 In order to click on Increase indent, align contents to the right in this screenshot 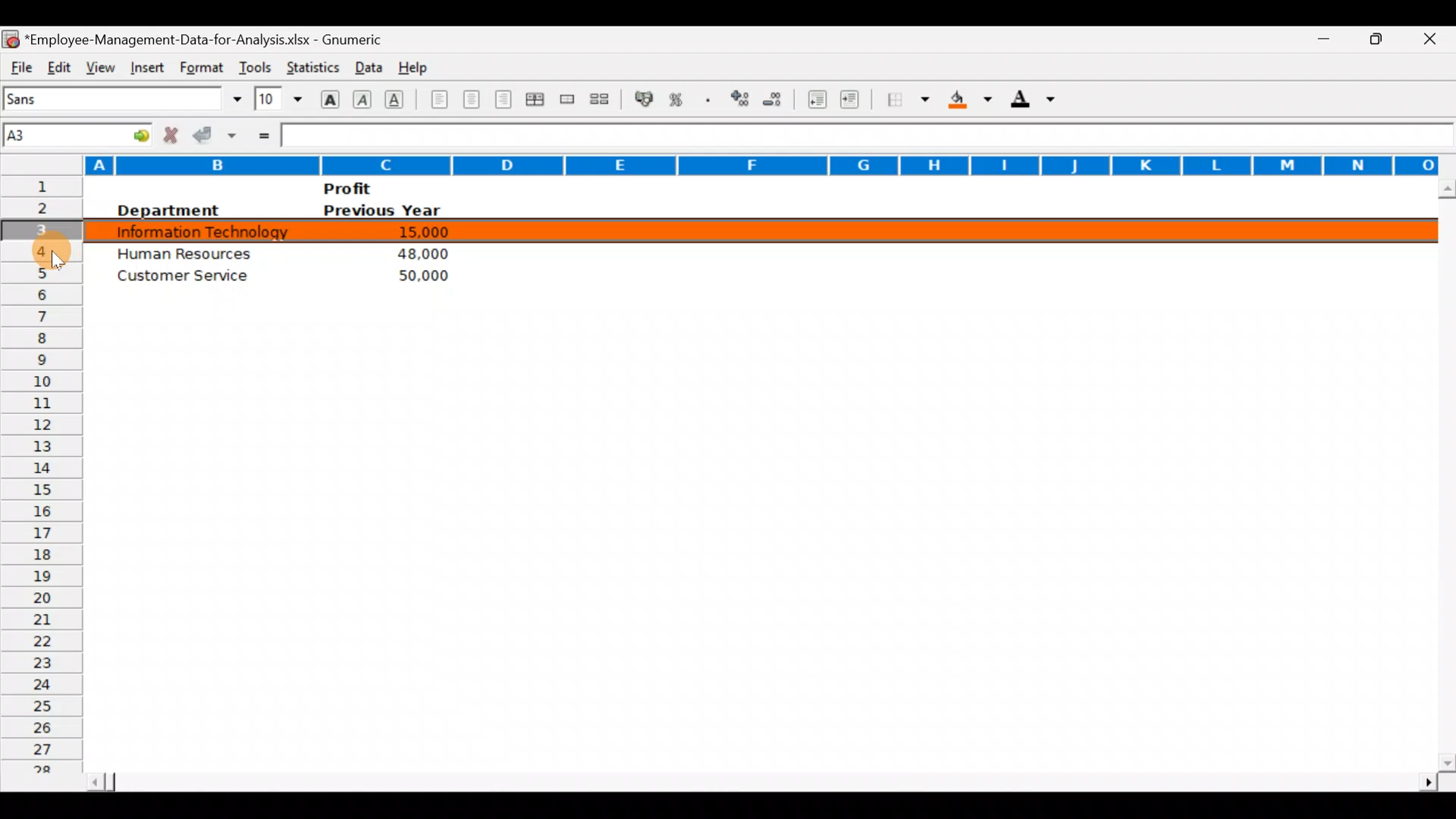, I will do `click(852, 101)`.